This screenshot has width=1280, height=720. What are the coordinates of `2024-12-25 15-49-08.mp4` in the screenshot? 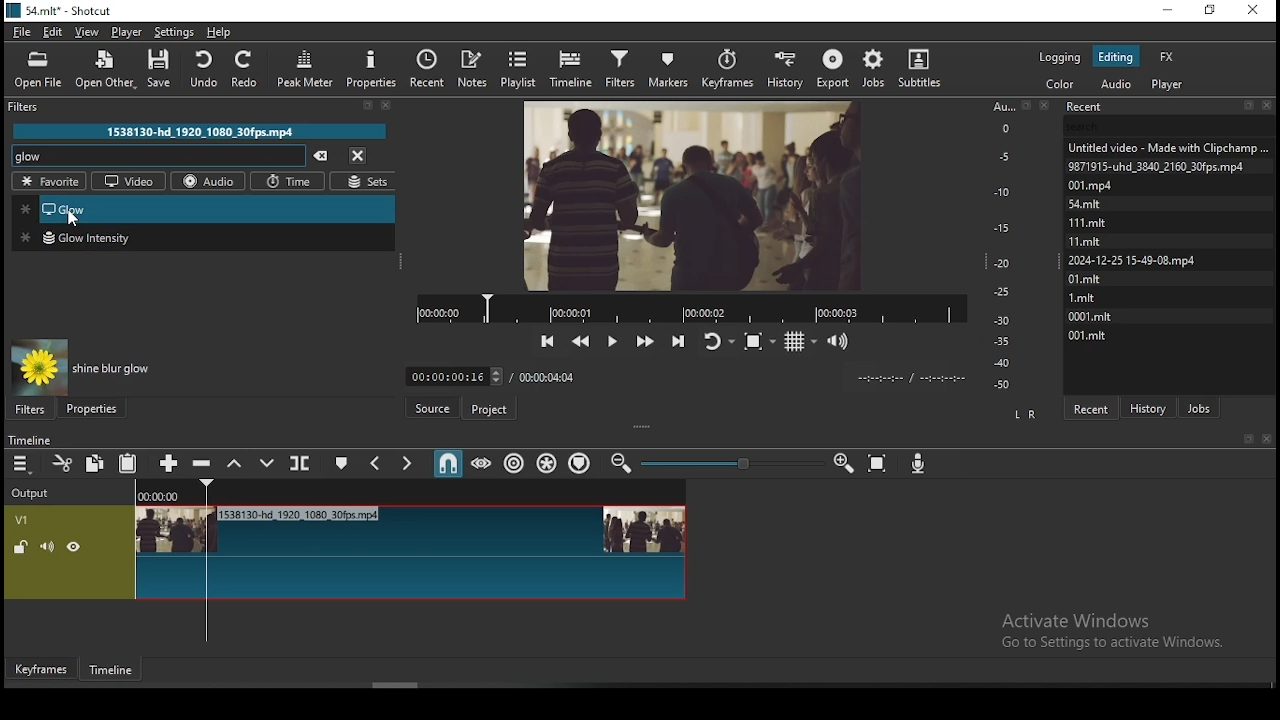 It's located at (1133, 260).